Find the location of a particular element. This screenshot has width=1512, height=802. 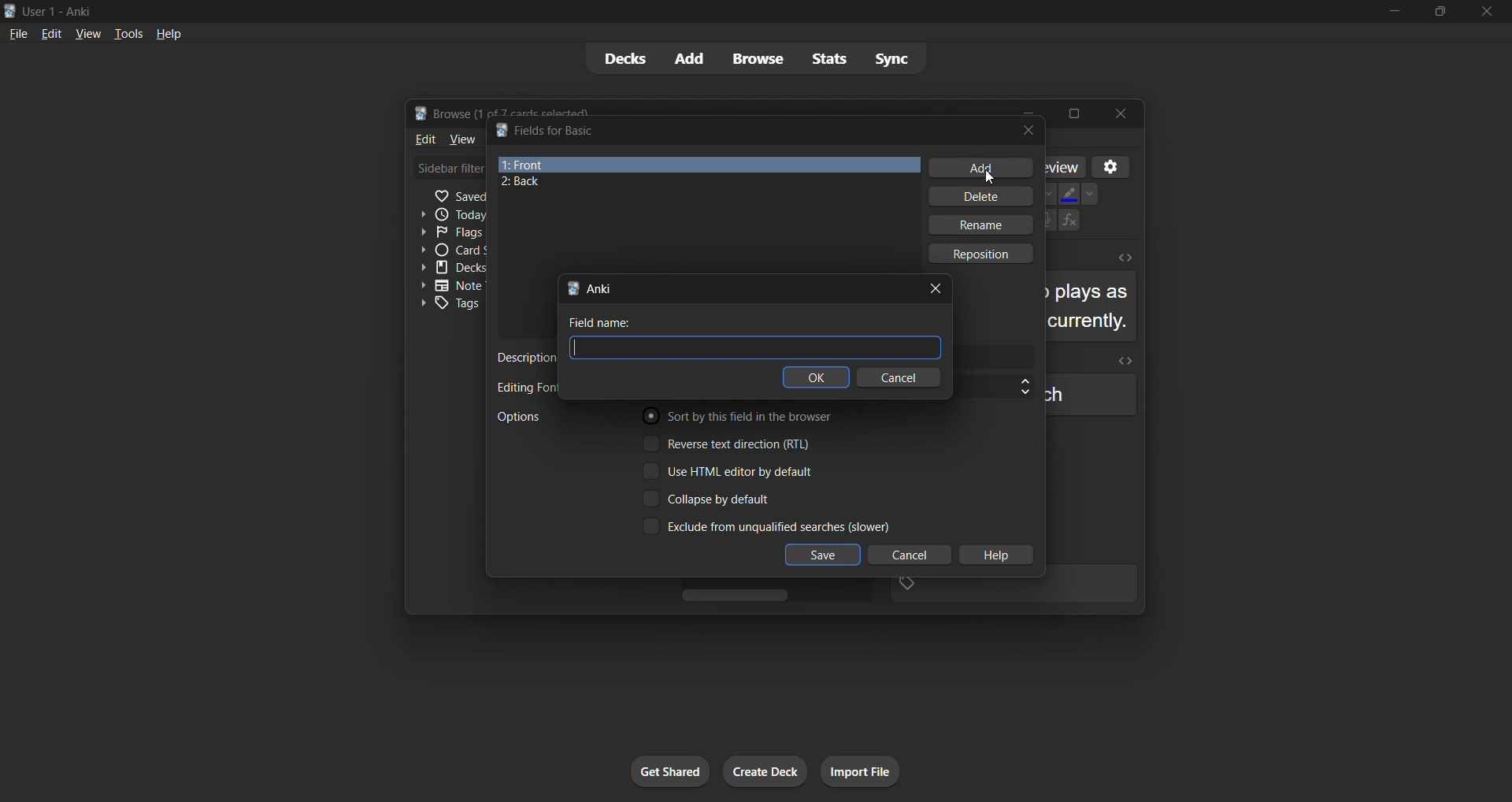

Collapse by default is located at coordinates (728, 497).